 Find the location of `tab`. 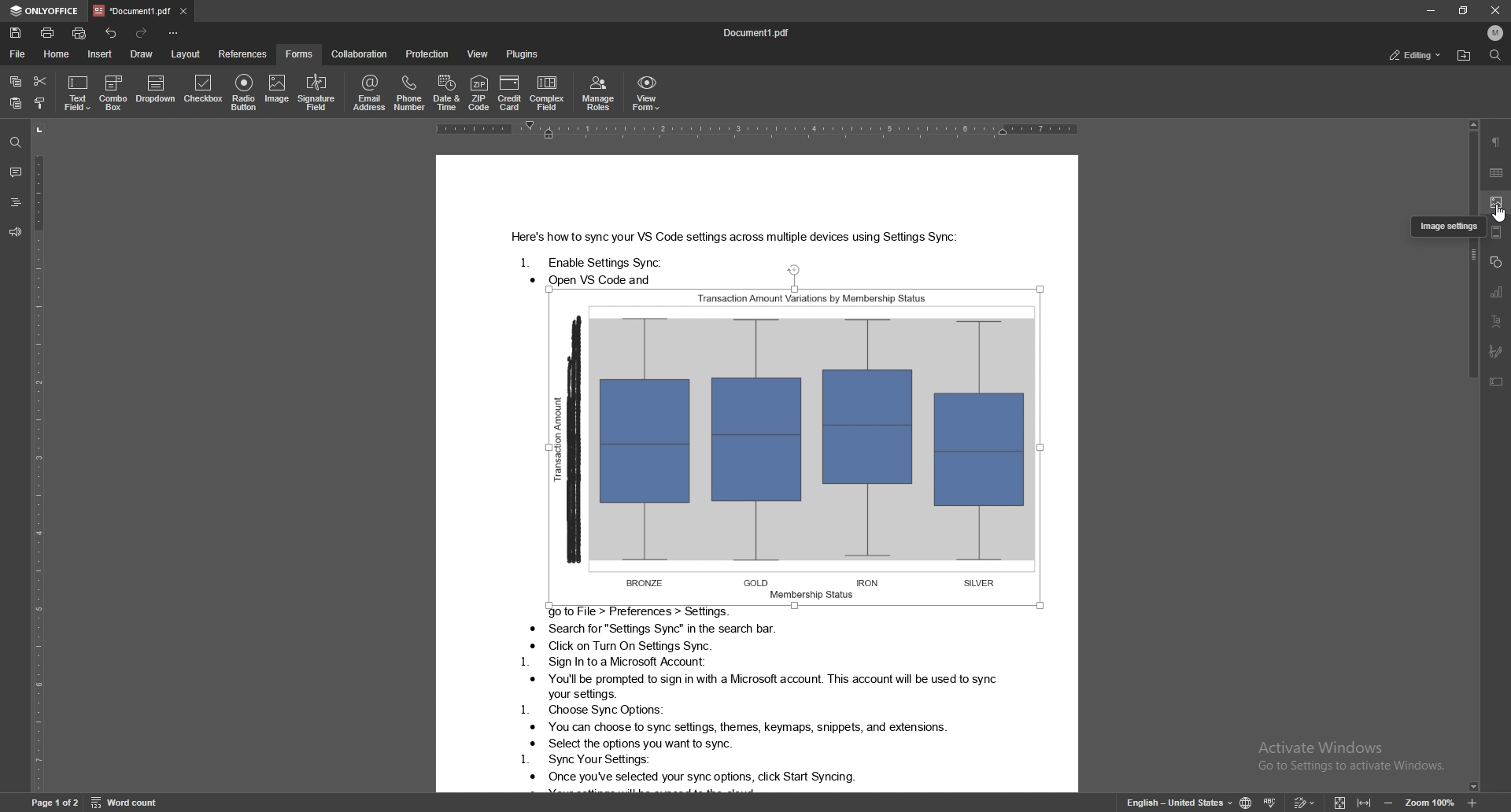

tab is located at coordinates (131, 11).